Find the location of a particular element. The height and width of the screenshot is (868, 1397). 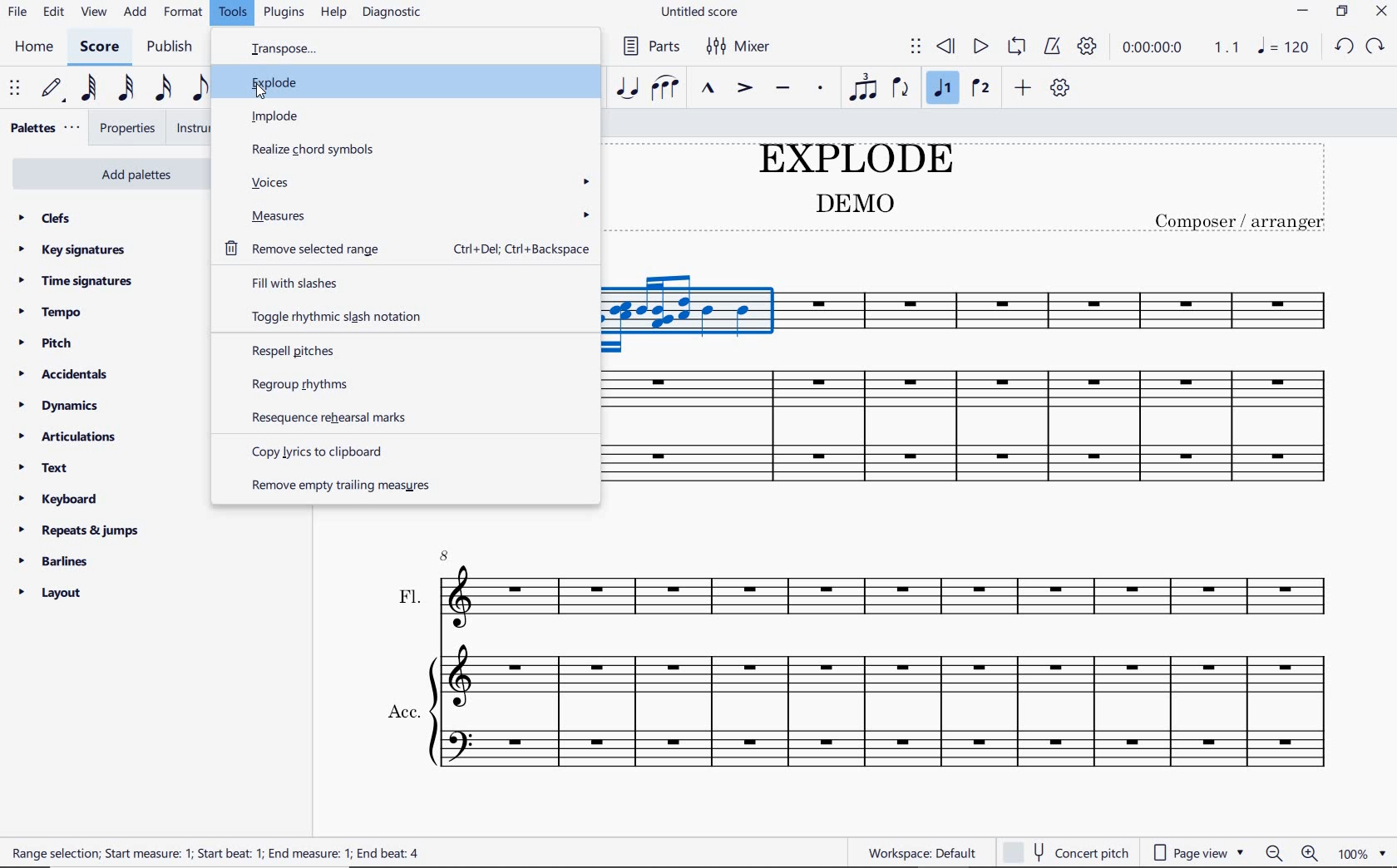

regroup rhythms is located at coordinates (405, 383).